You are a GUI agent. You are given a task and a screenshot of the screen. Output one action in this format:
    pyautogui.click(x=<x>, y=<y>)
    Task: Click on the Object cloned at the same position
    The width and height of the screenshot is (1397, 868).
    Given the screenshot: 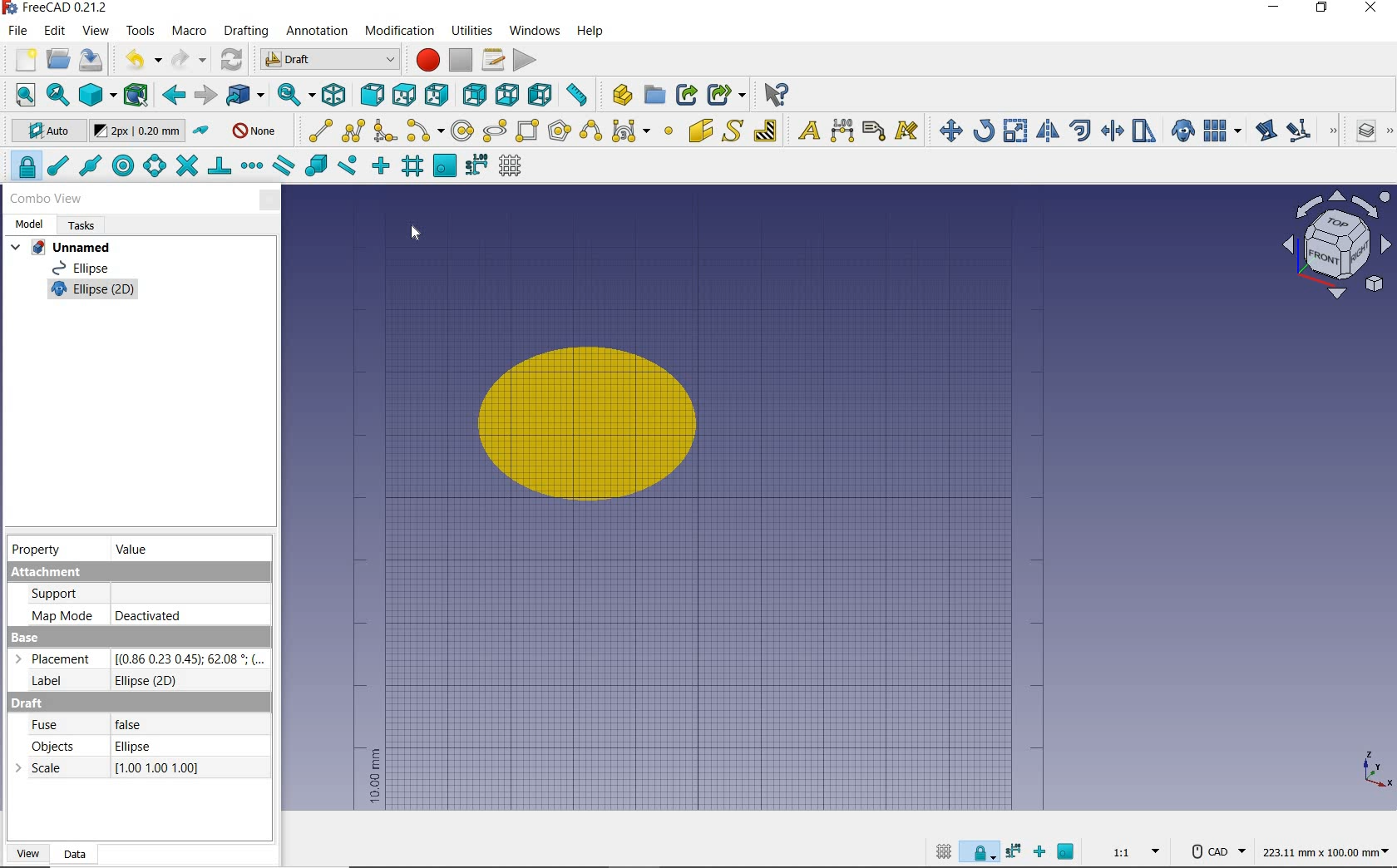 What is the action you would take?
    pyautogui.click(x=594, y=426)
    